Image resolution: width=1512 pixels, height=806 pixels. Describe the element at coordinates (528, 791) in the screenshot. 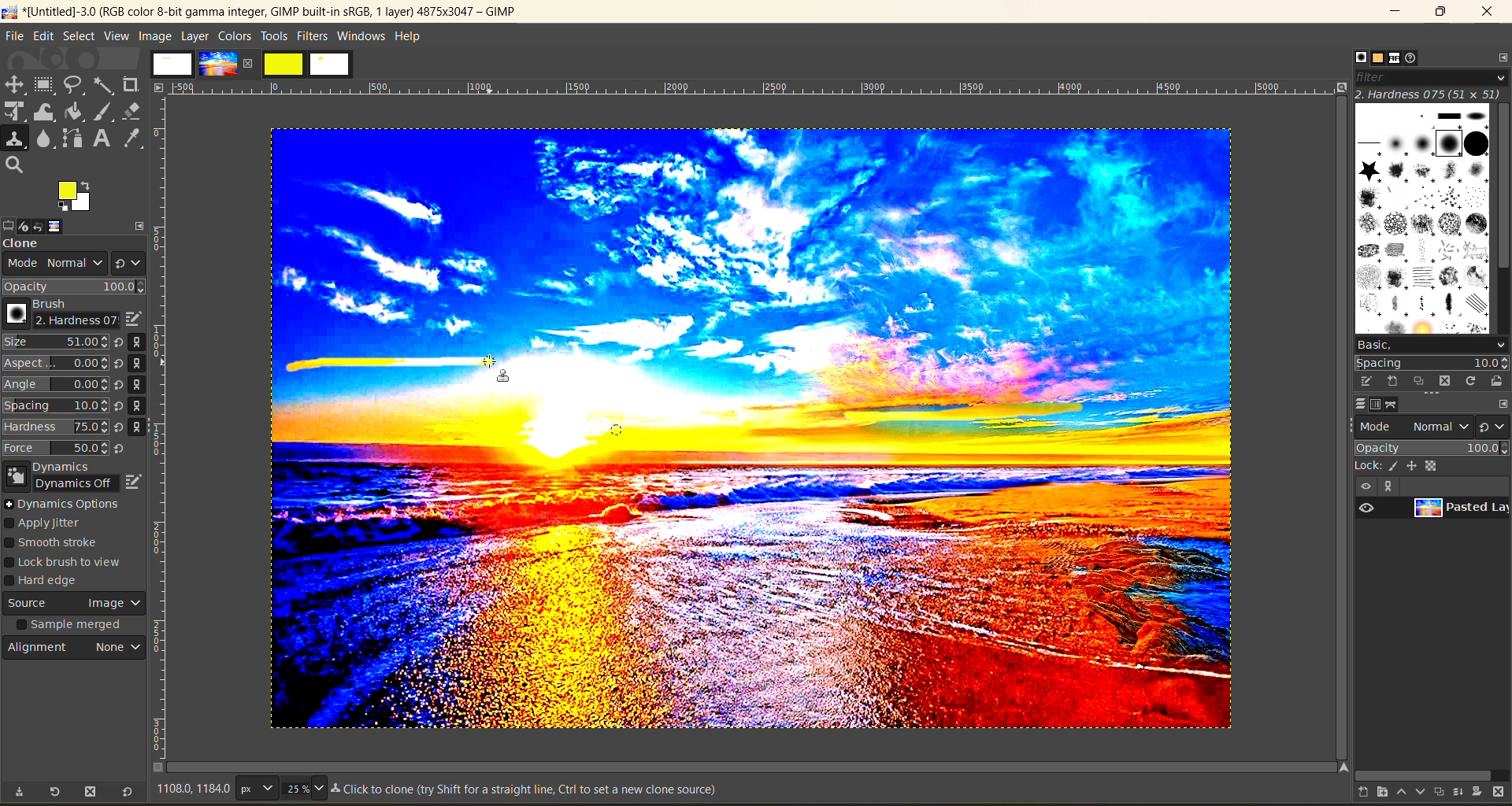

I see `metadata` at that location.